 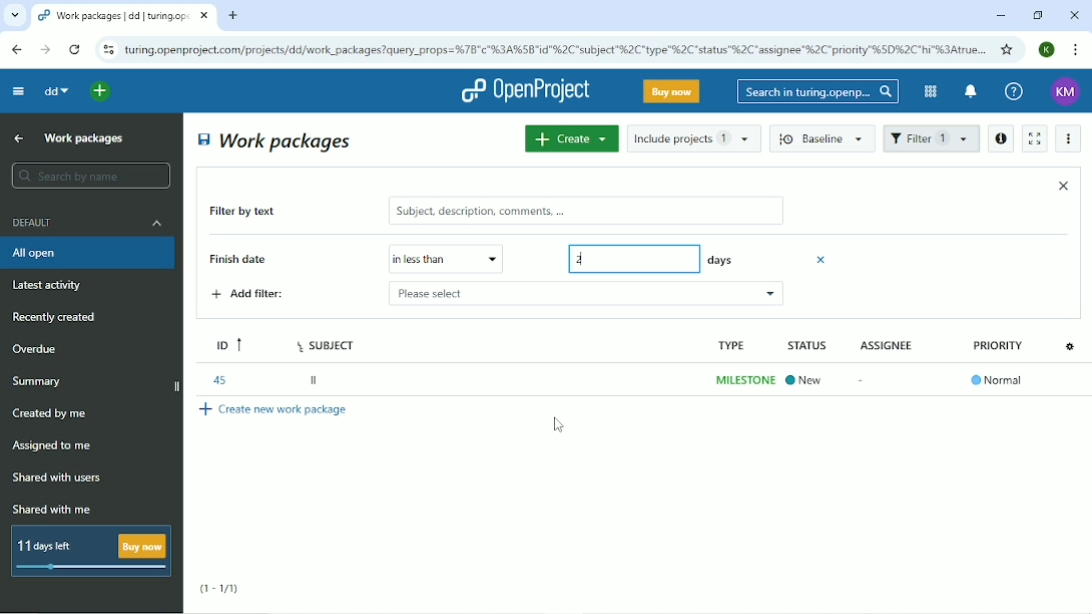 What do you see at coordinates (535, 294) in the screenshot?
I see `please select` at bounding box center [535, 294].